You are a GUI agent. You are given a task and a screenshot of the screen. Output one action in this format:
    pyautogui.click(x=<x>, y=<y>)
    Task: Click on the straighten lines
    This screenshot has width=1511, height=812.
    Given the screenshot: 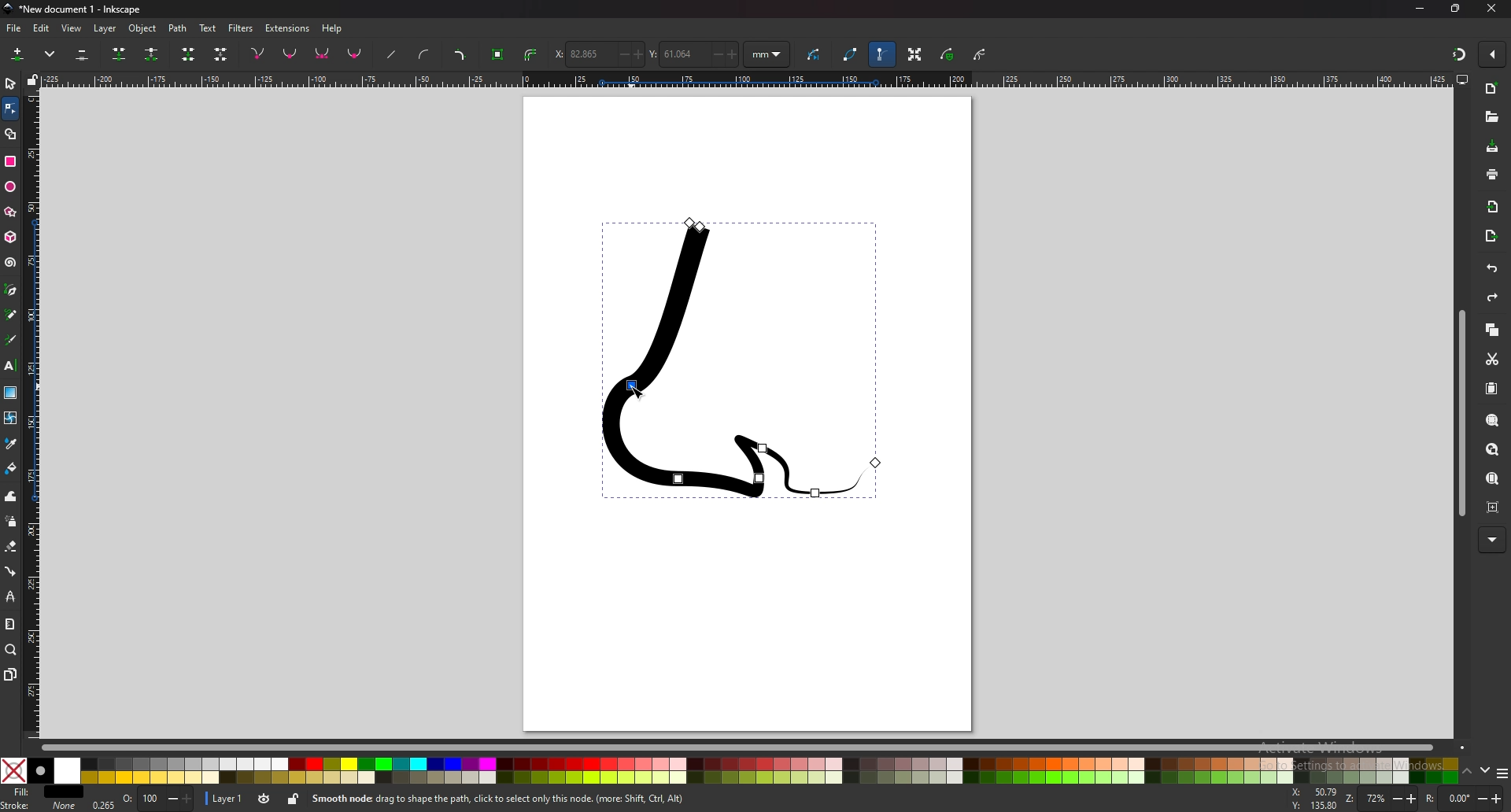 What is the action you would take?
    pyautogui.click(x=393, y=56)
    